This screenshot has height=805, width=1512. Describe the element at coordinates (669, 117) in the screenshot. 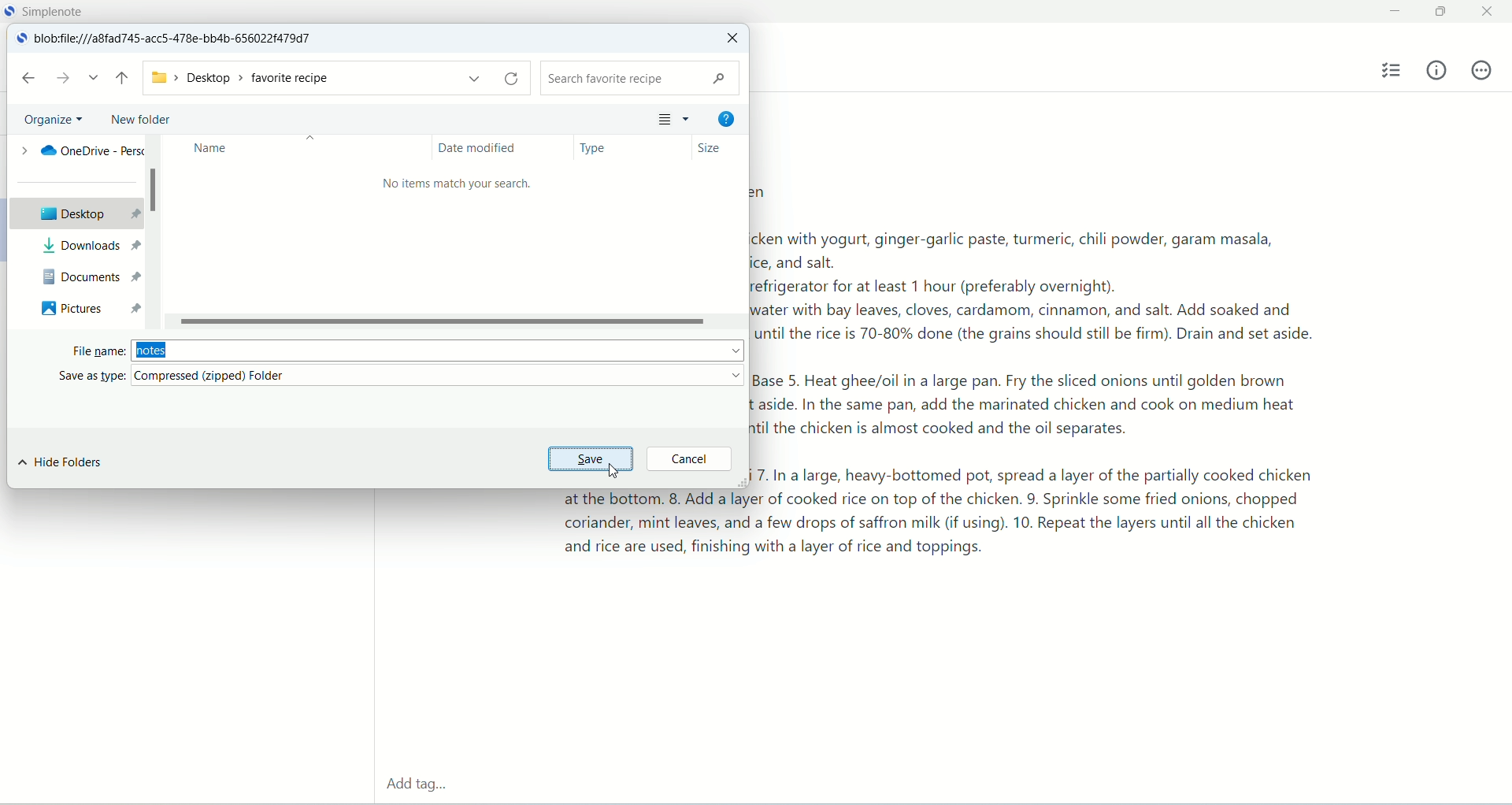

I see `change view` at that location.